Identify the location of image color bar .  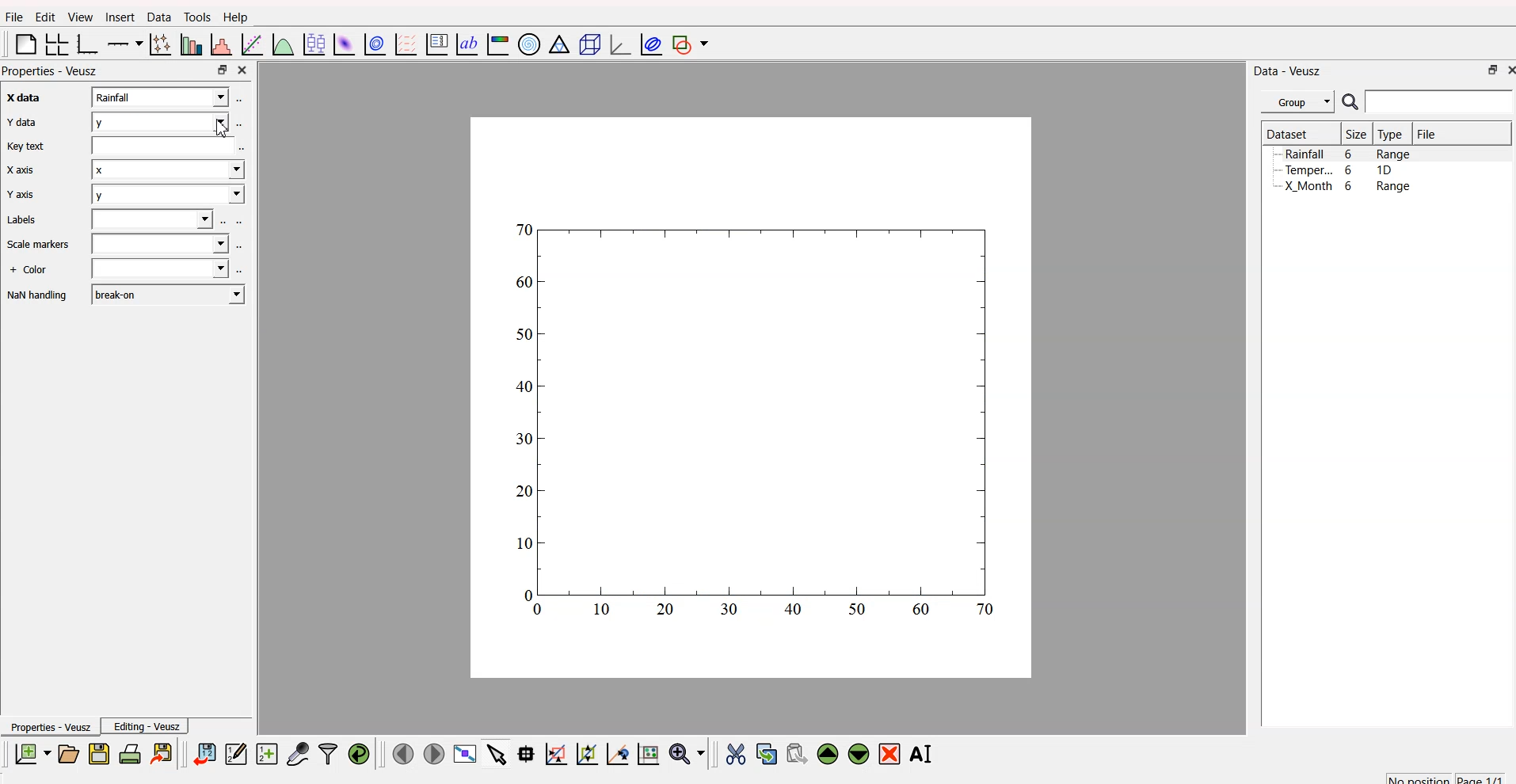
(497, 44).